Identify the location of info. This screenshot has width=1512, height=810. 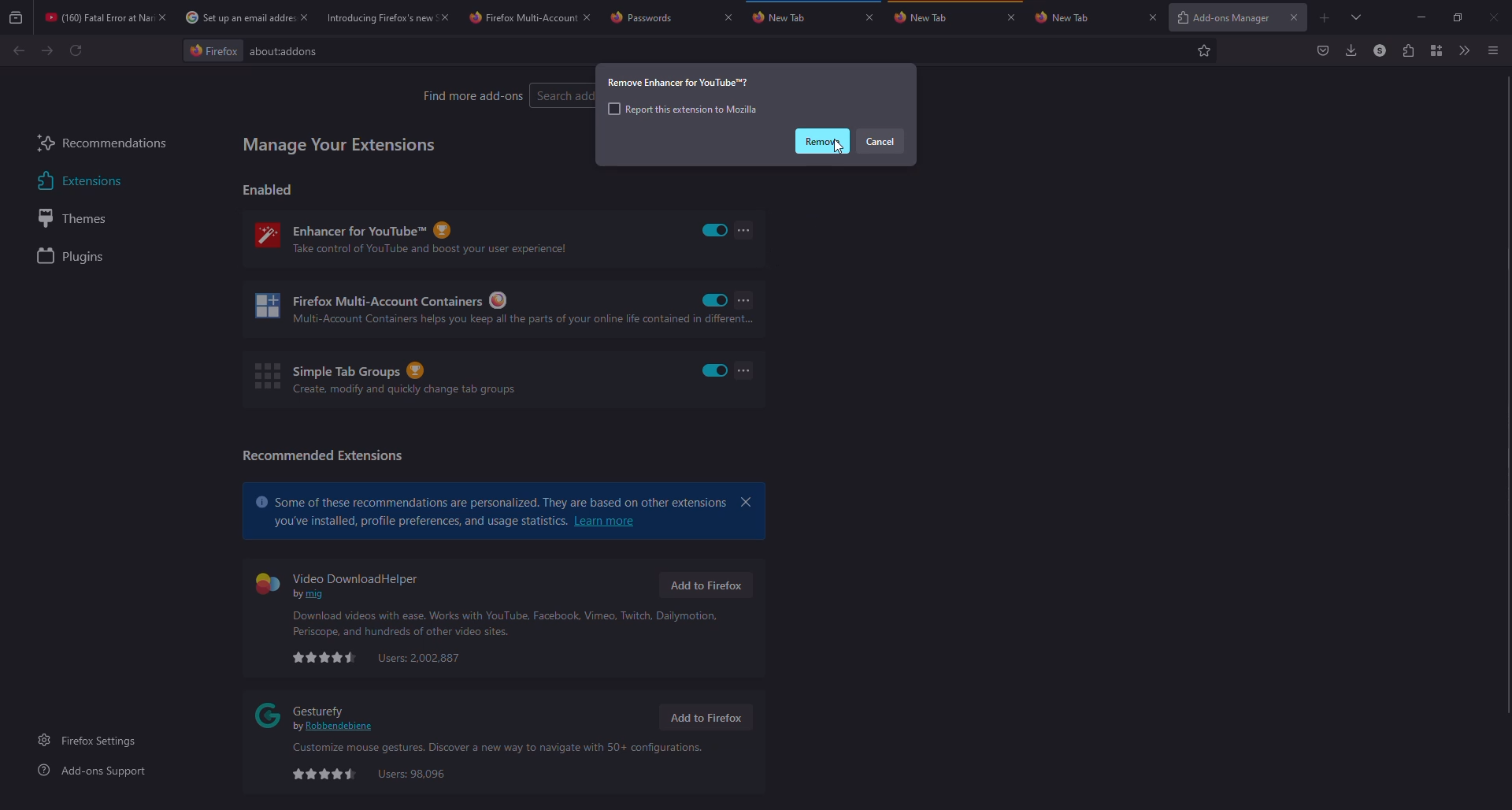
(495, 749).